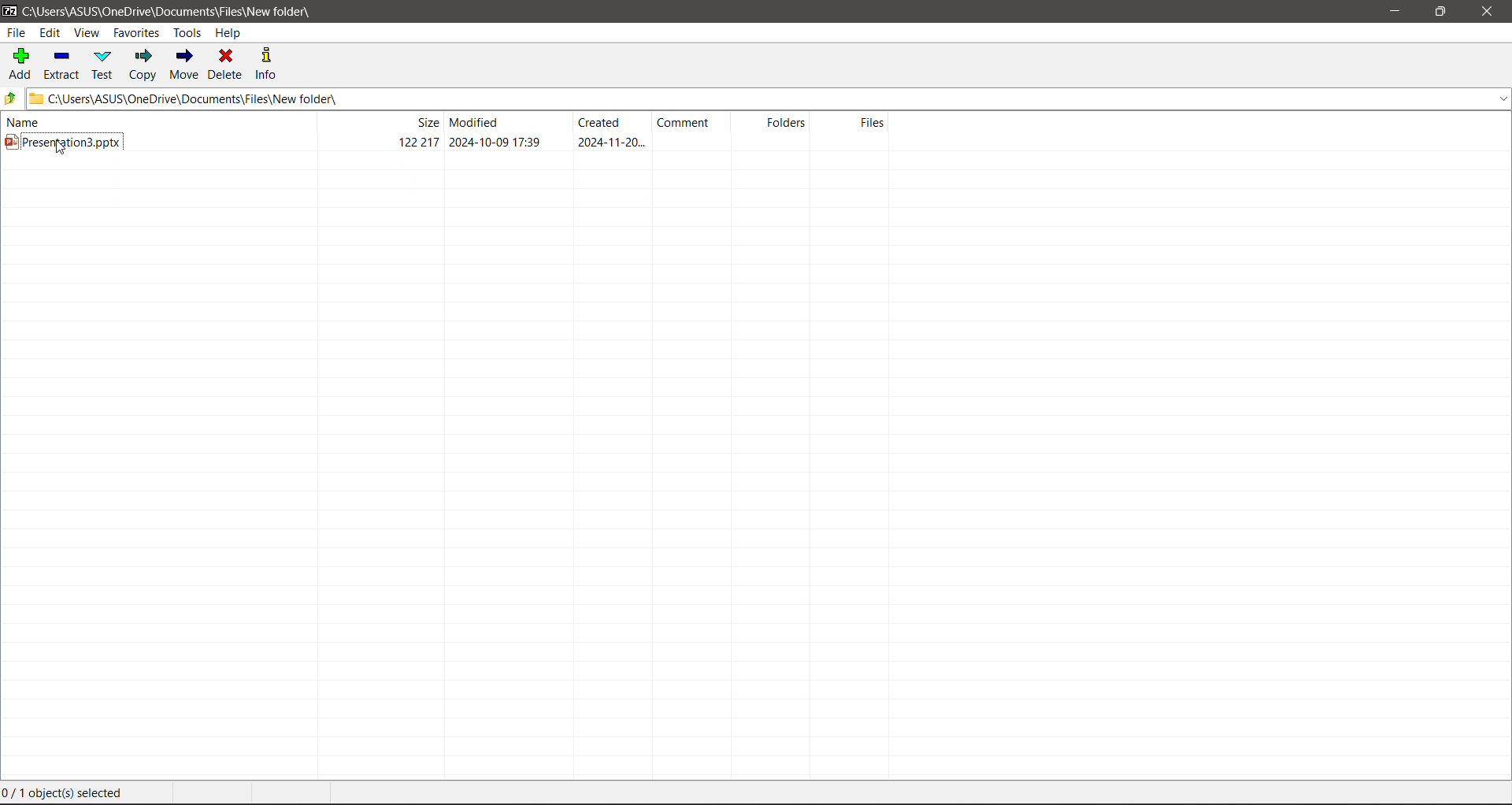 The width and height of the screenshot is (1512, 805). What do you see at coordinates (228, 65) in the screenshot?
I see `Delete` at bounding box center [228, 65].